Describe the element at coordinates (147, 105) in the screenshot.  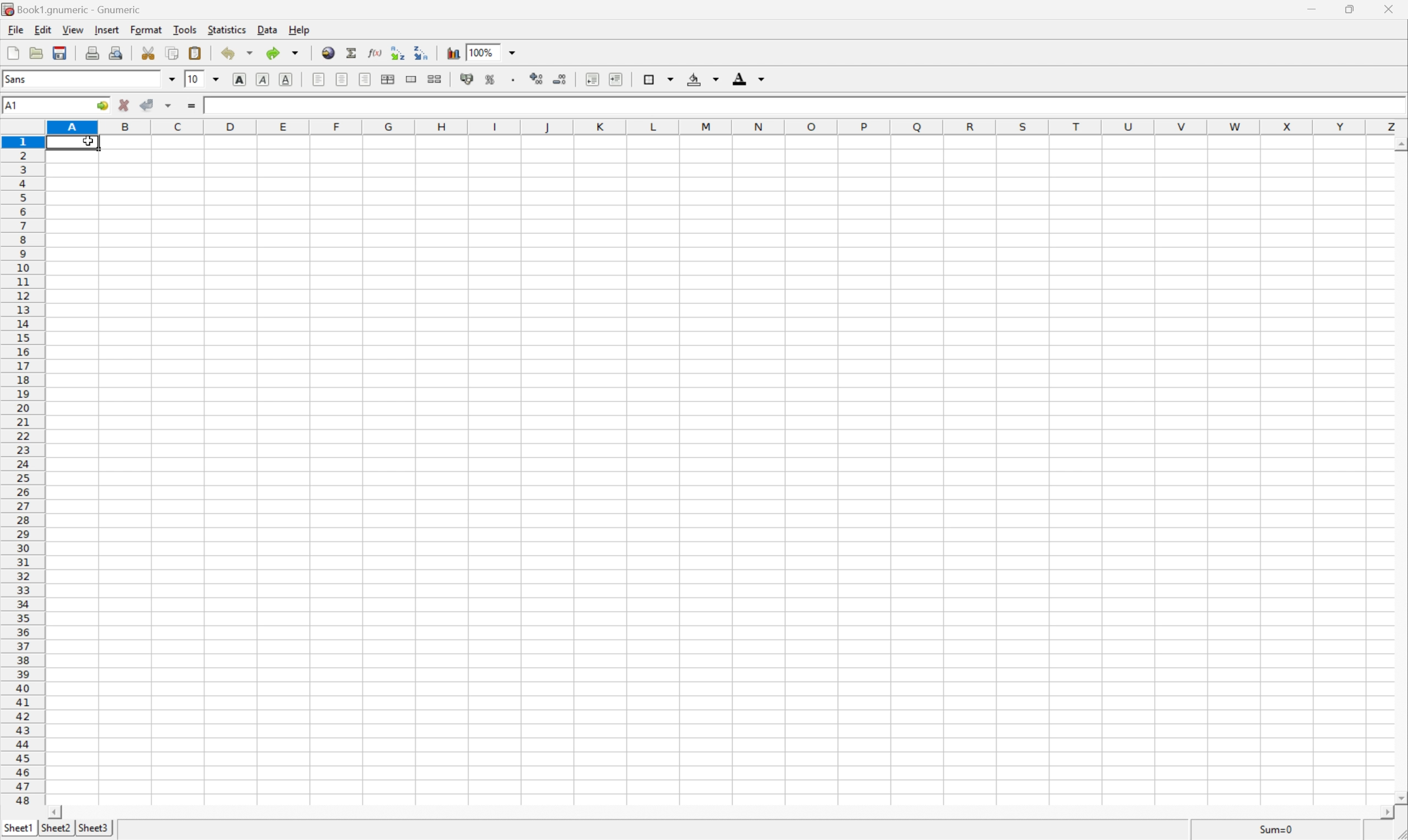
I see `accept change` at that location.